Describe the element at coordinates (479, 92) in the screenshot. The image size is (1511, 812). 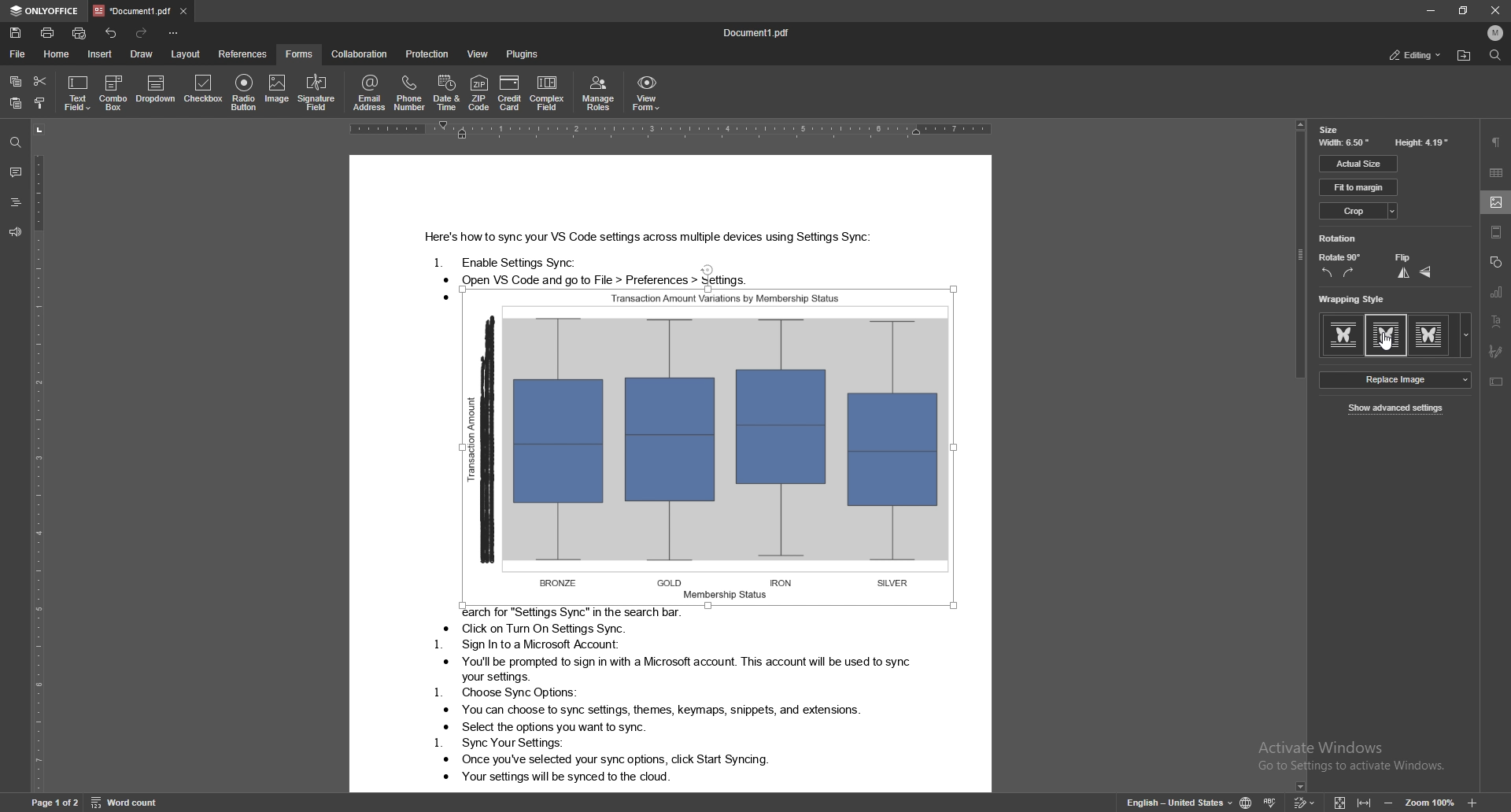
I see `zip code` at that location.